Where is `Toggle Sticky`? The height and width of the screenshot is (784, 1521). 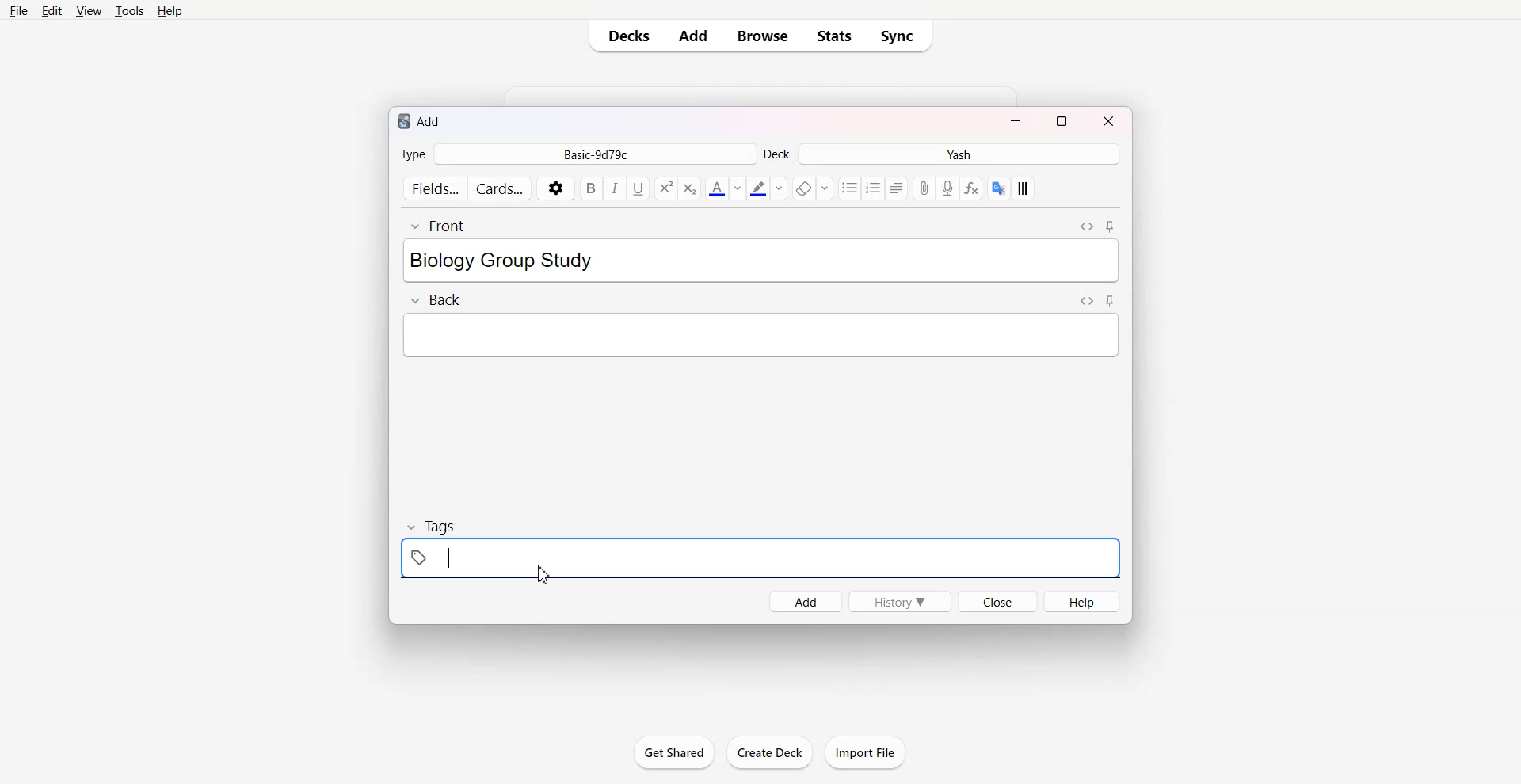 Toggle Sticky is located at coordinates (1110, 300).